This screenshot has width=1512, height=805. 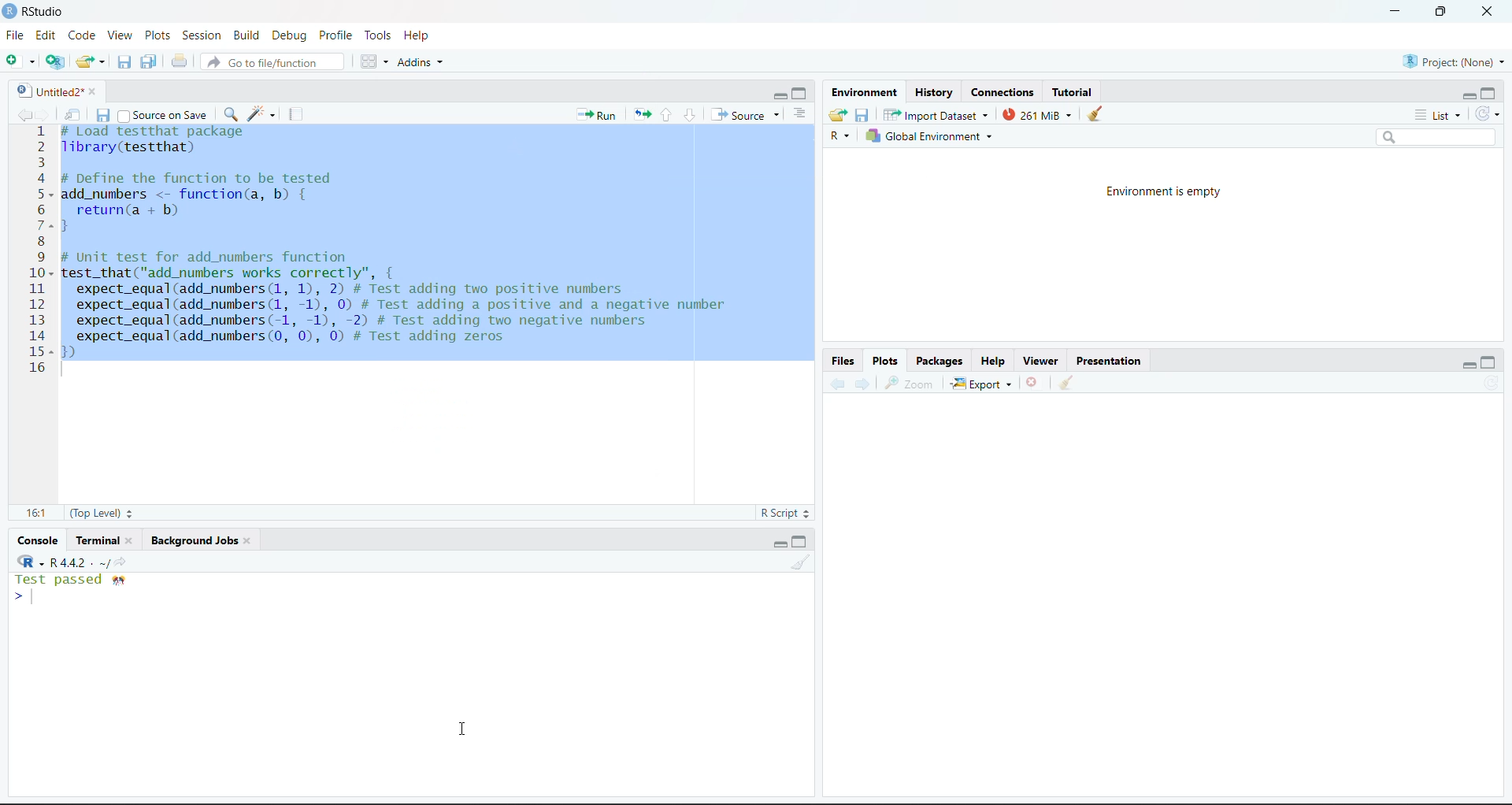 I want to click on minimize, so click(x=1395, y=11).